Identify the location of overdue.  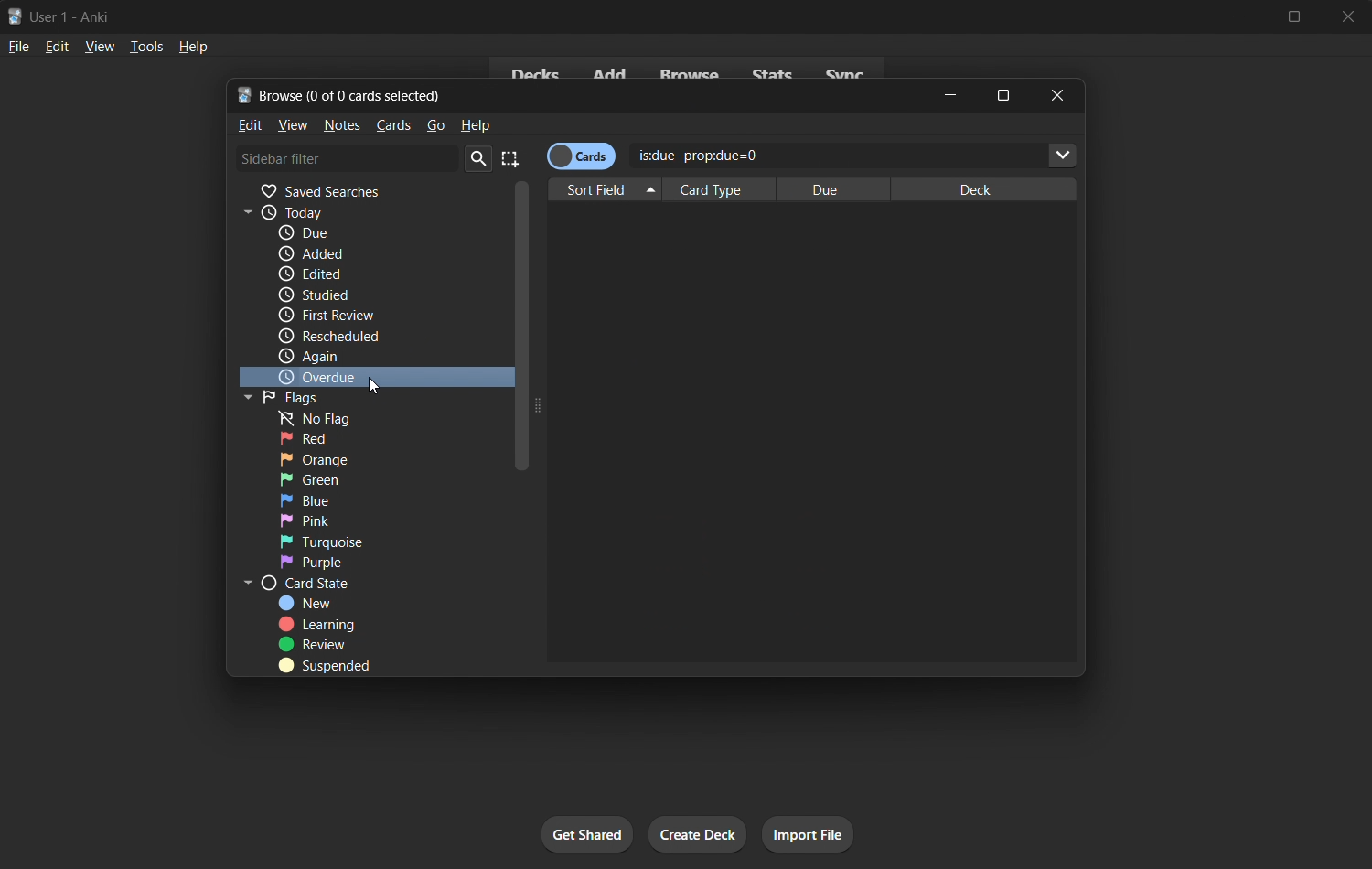
(362, 376).